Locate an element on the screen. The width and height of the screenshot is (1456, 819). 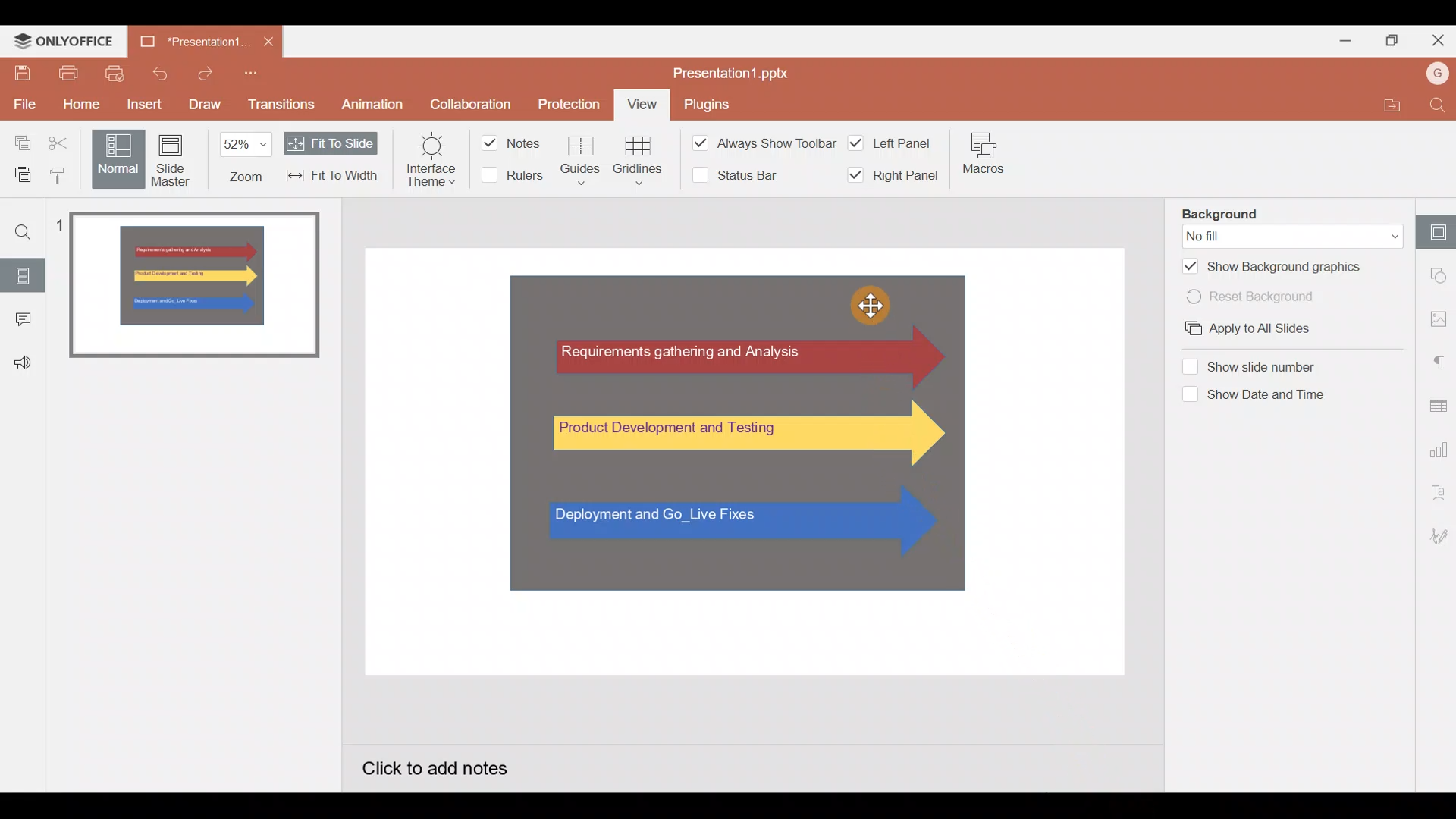
Insert is located at coordinates (140, 102).